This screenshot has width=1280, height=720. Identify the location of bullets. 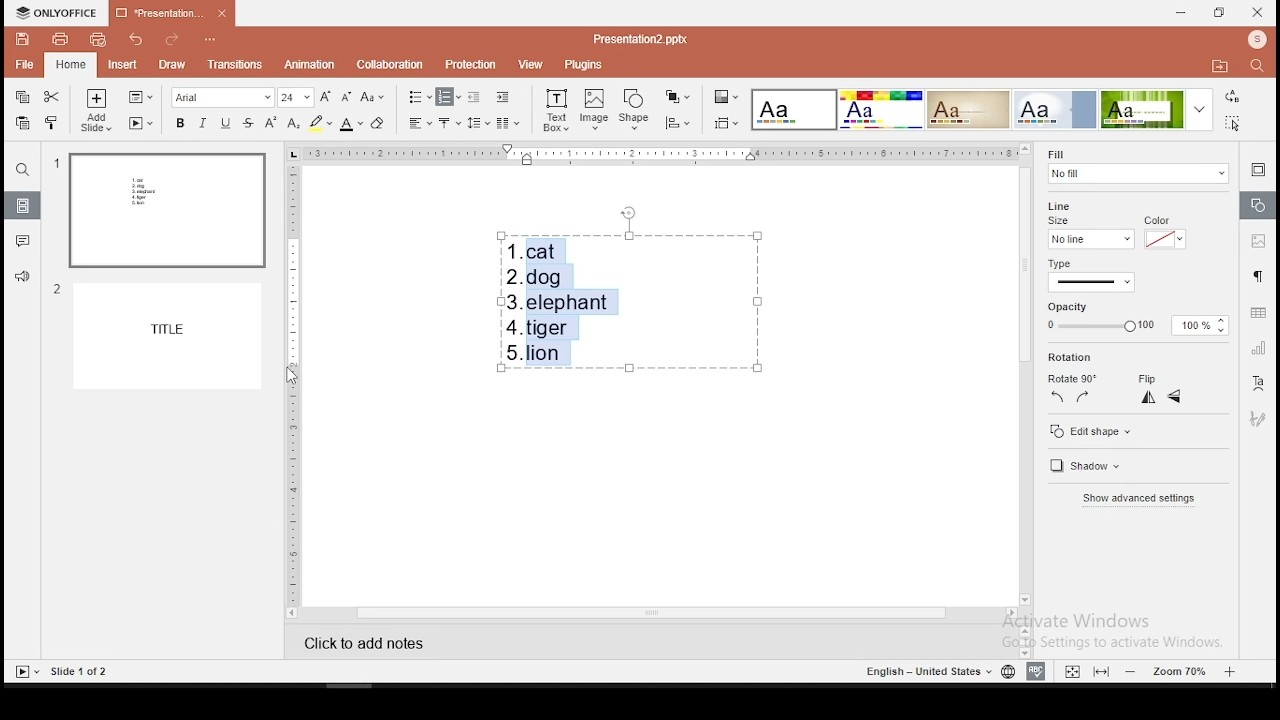
(419, 97).